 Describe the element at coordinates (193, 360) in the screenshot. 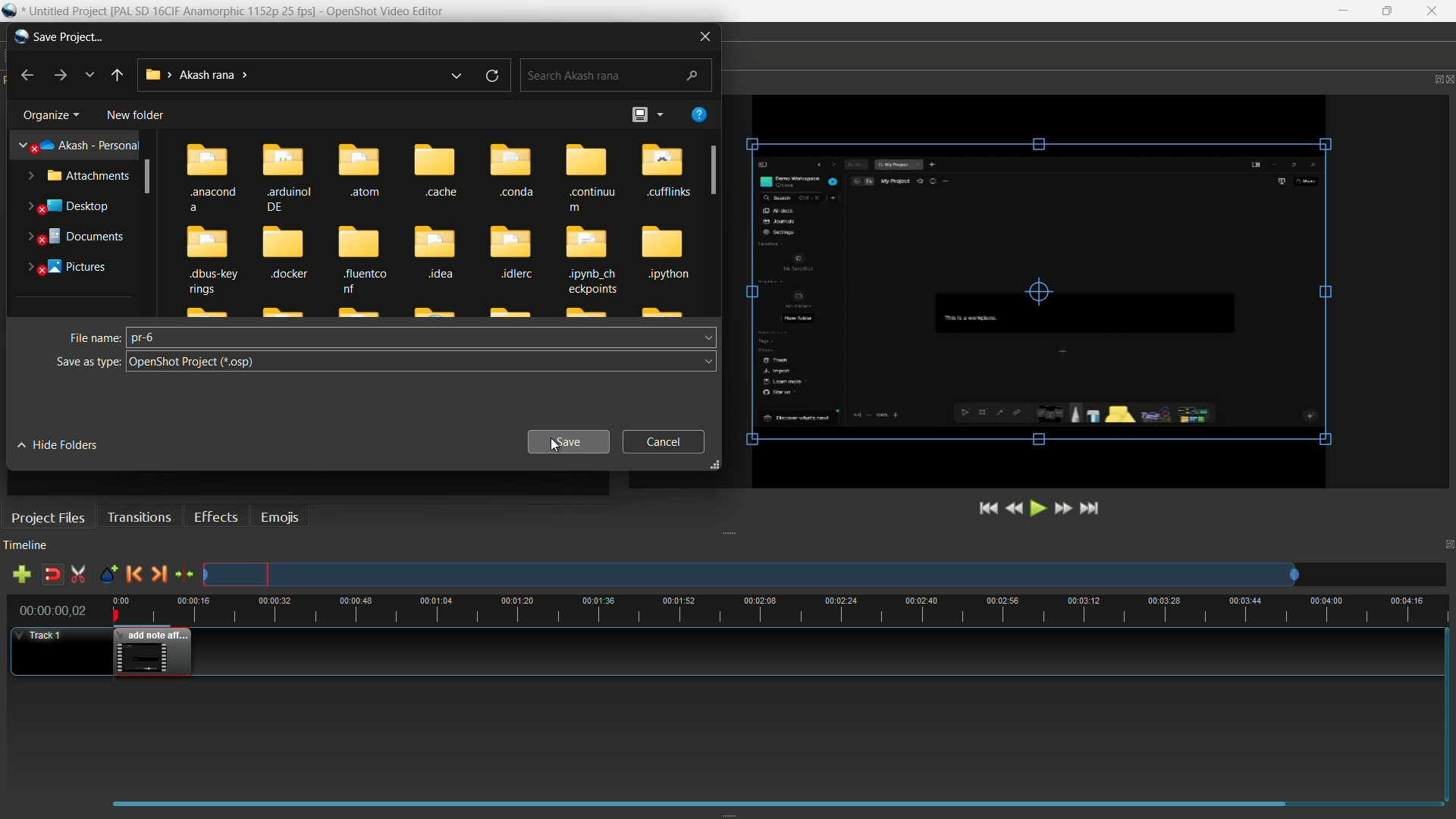

I see `save as open shot project format` at that location.